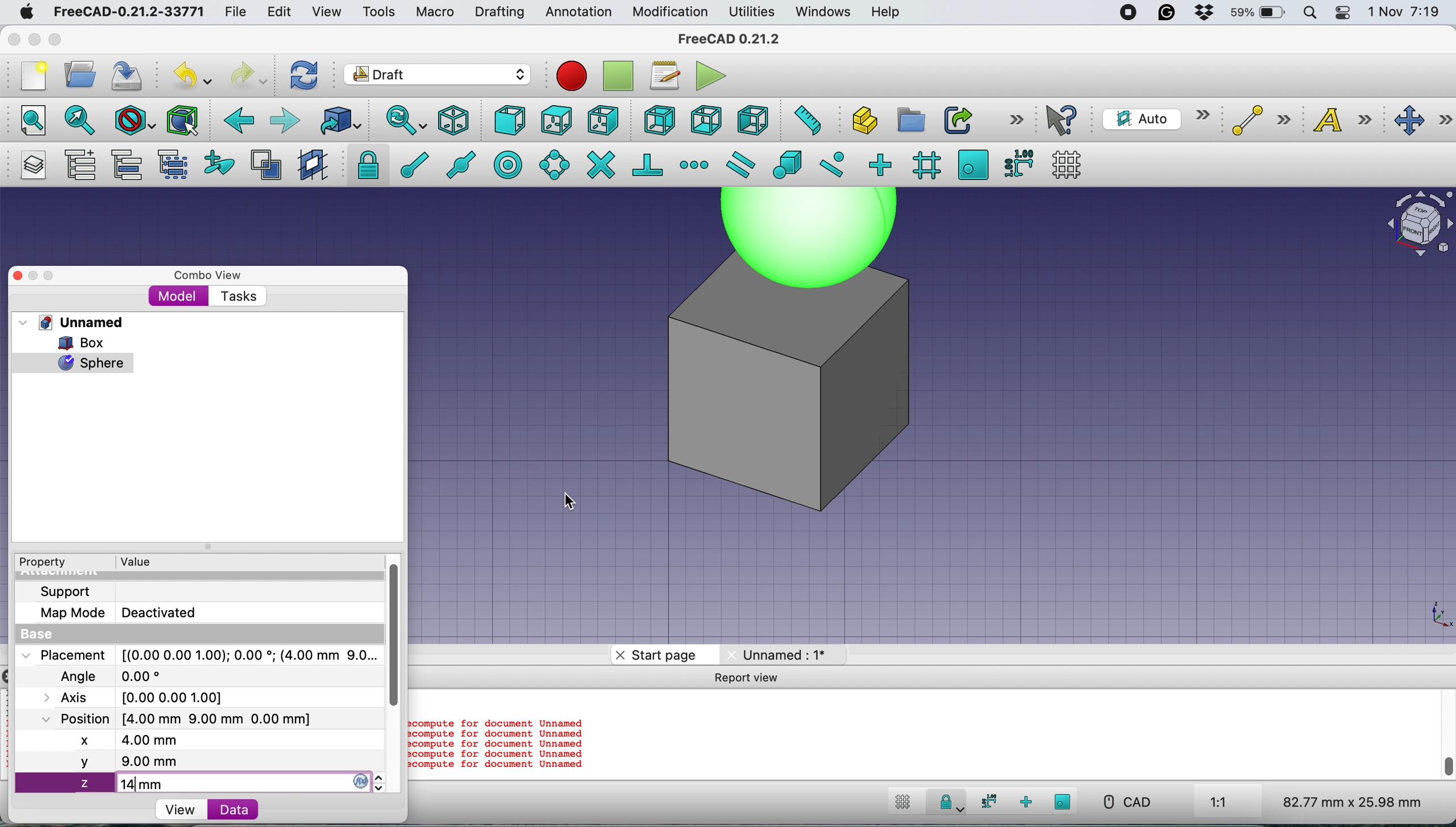  Describe the element at coordinates (340, 120) in the screenshot. I see `go to linked object` at that location.